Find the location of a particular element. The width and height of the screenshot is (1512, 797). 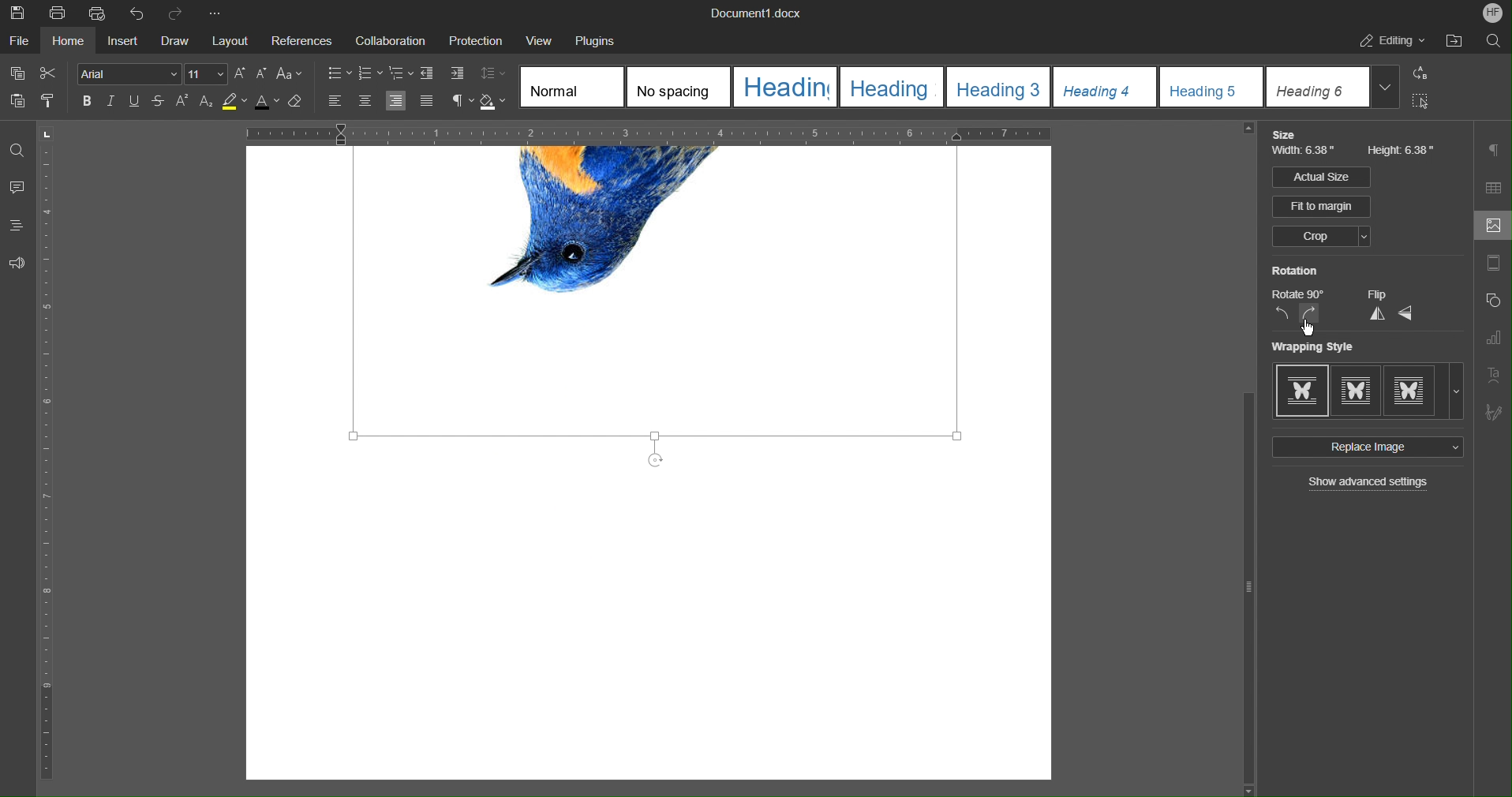

Redo is located at coordinates (177, 13).